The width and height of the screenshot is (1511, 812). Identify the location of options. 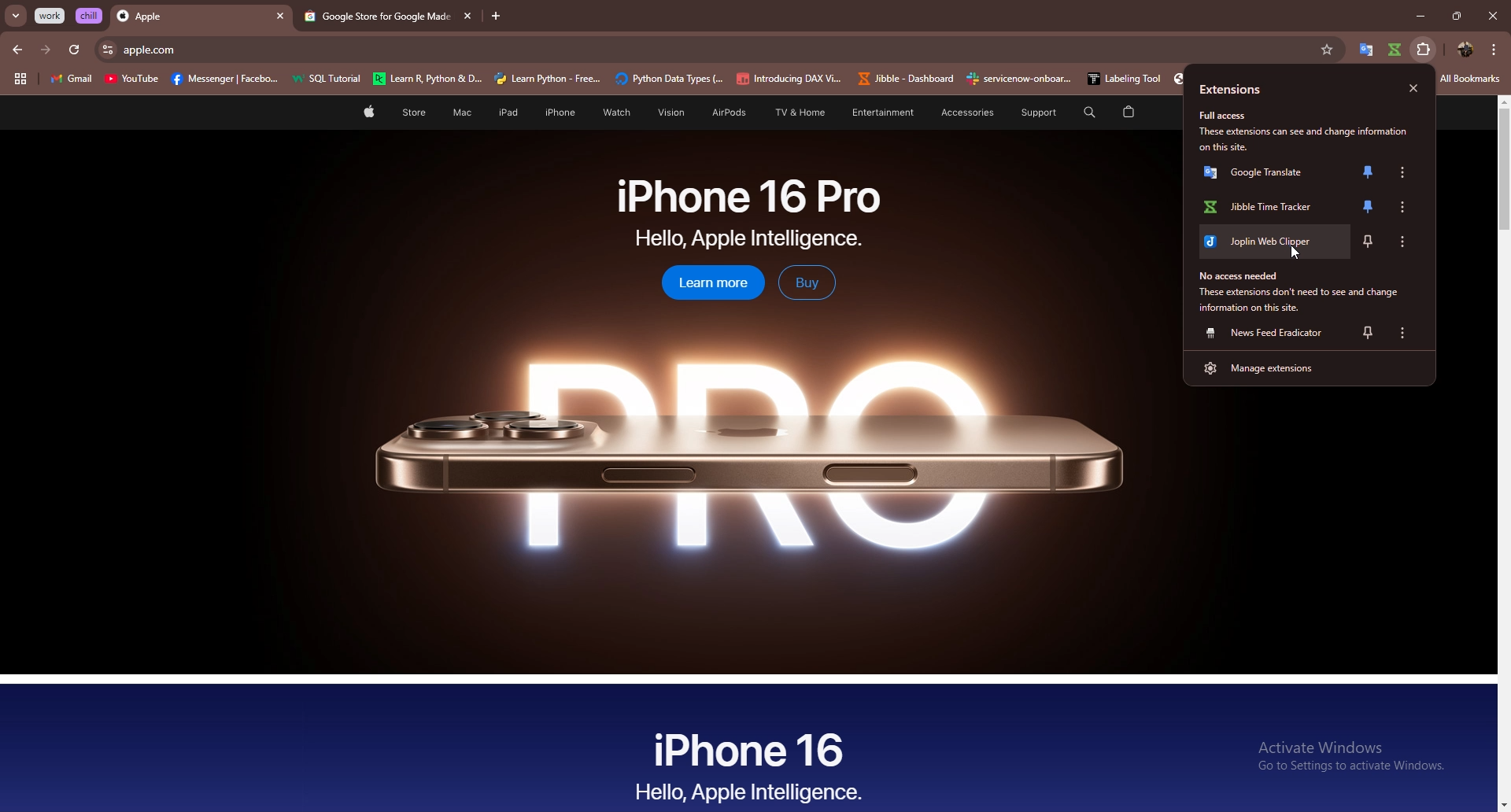
(1494, 49).